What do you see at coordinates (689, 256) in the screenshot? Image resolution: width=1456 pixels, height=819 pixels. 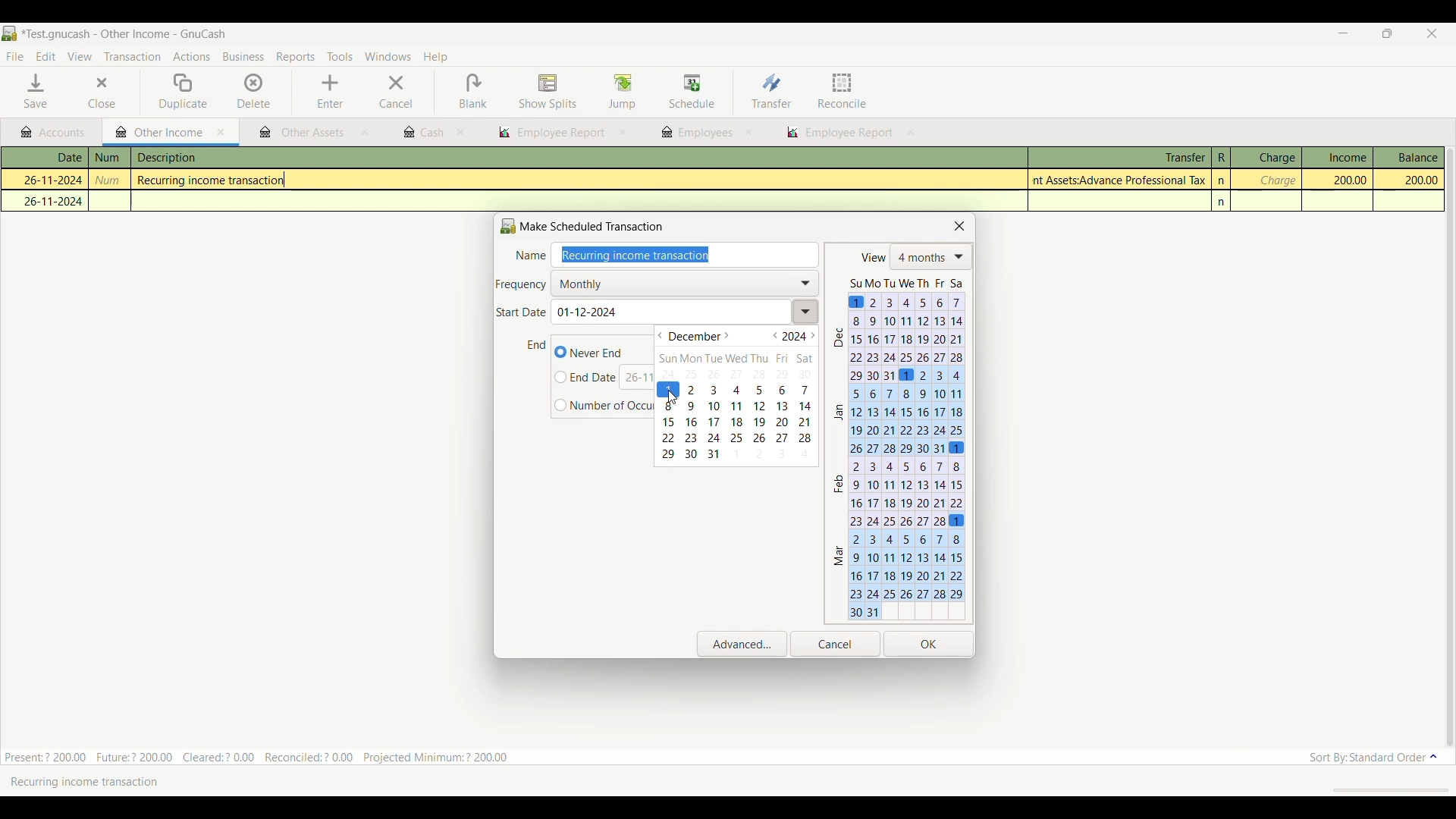 I see `Enter name of transaction` at bounding box center [689, 256].